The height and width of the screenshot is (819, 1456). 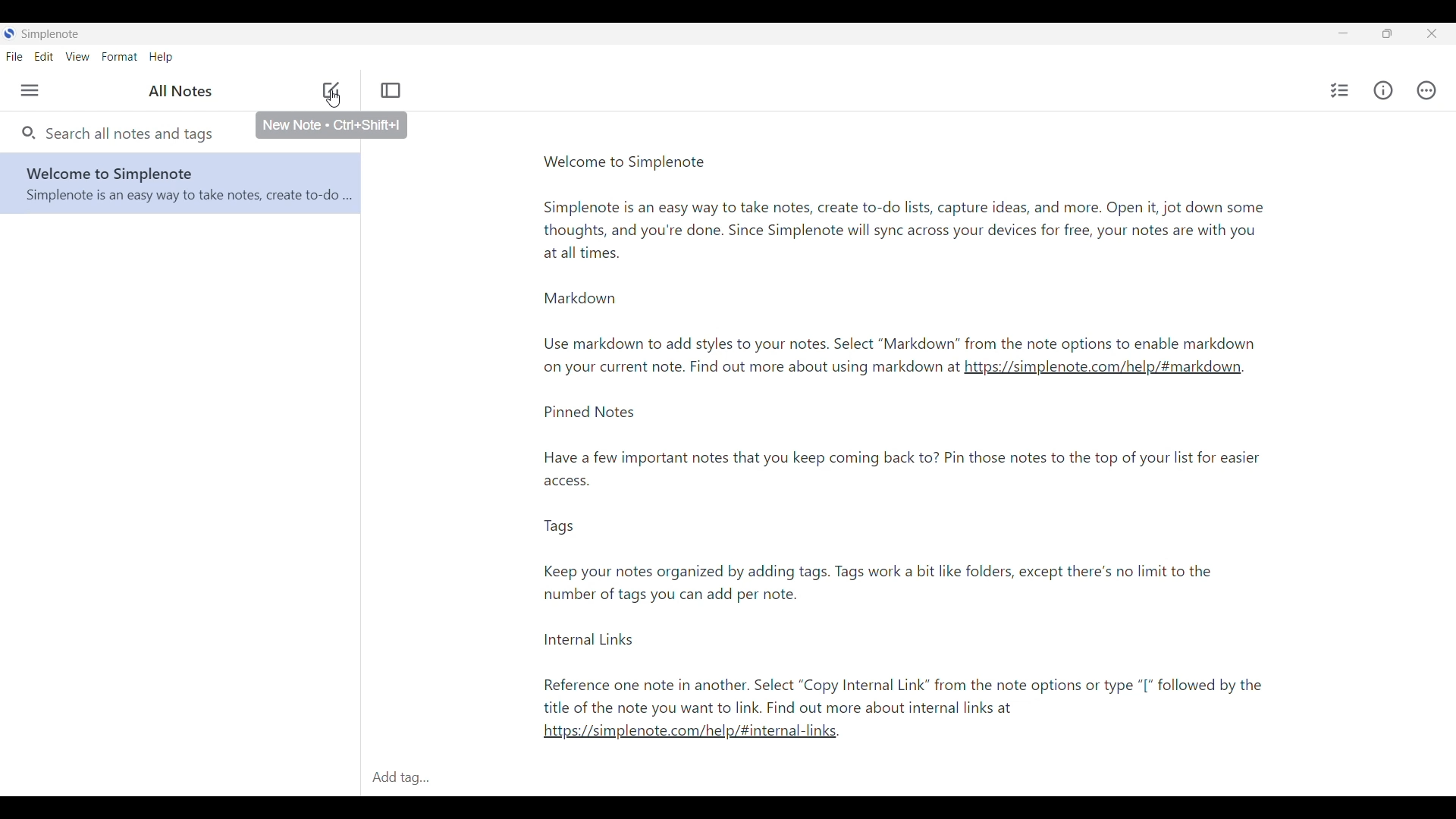 What do you see at coordinates (955, 246) in the screenshot?
I see `Welcome text` at bounding box center [955, 246].